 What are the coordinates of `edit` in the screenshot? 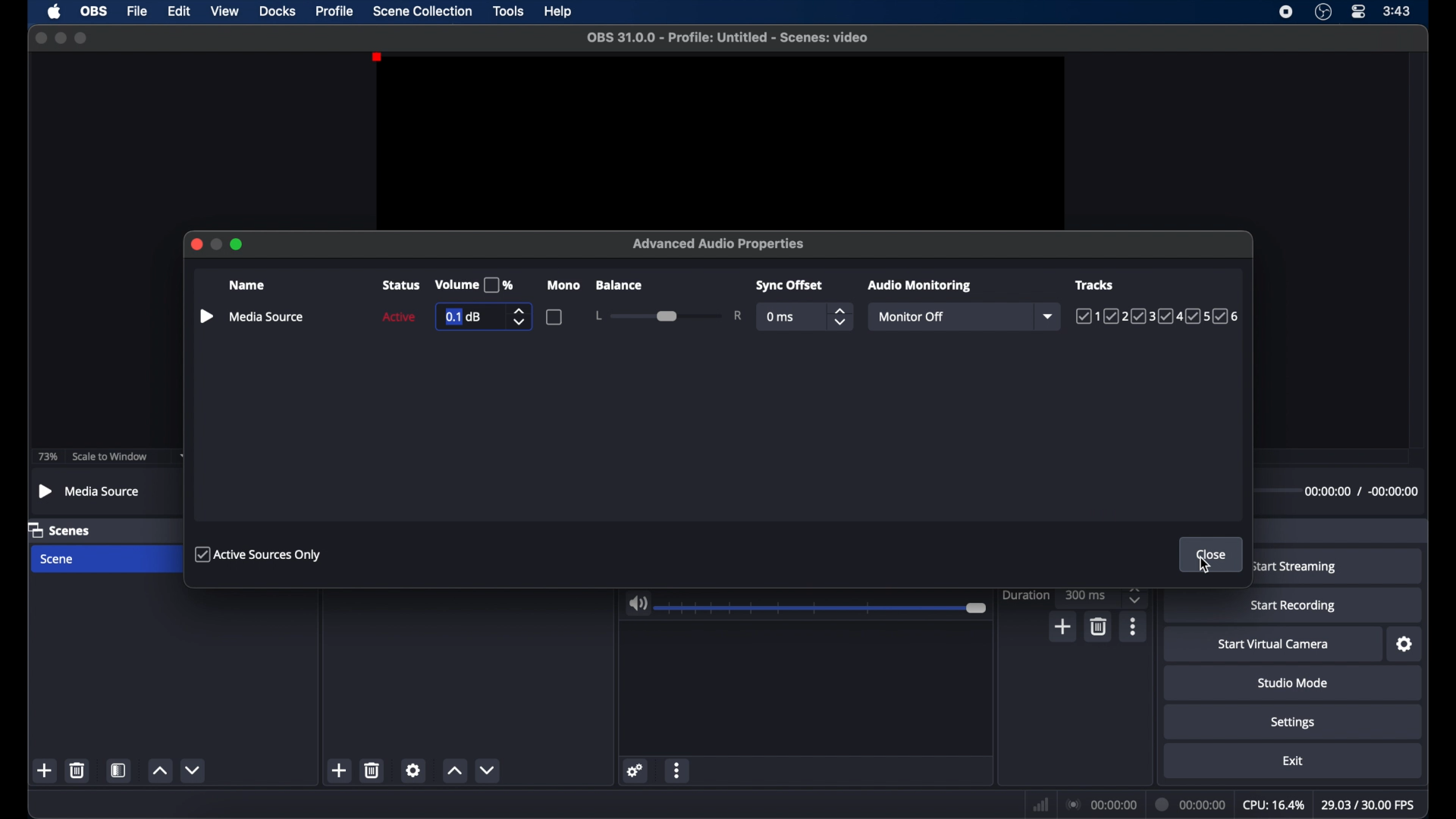 It's located at (178, 11).